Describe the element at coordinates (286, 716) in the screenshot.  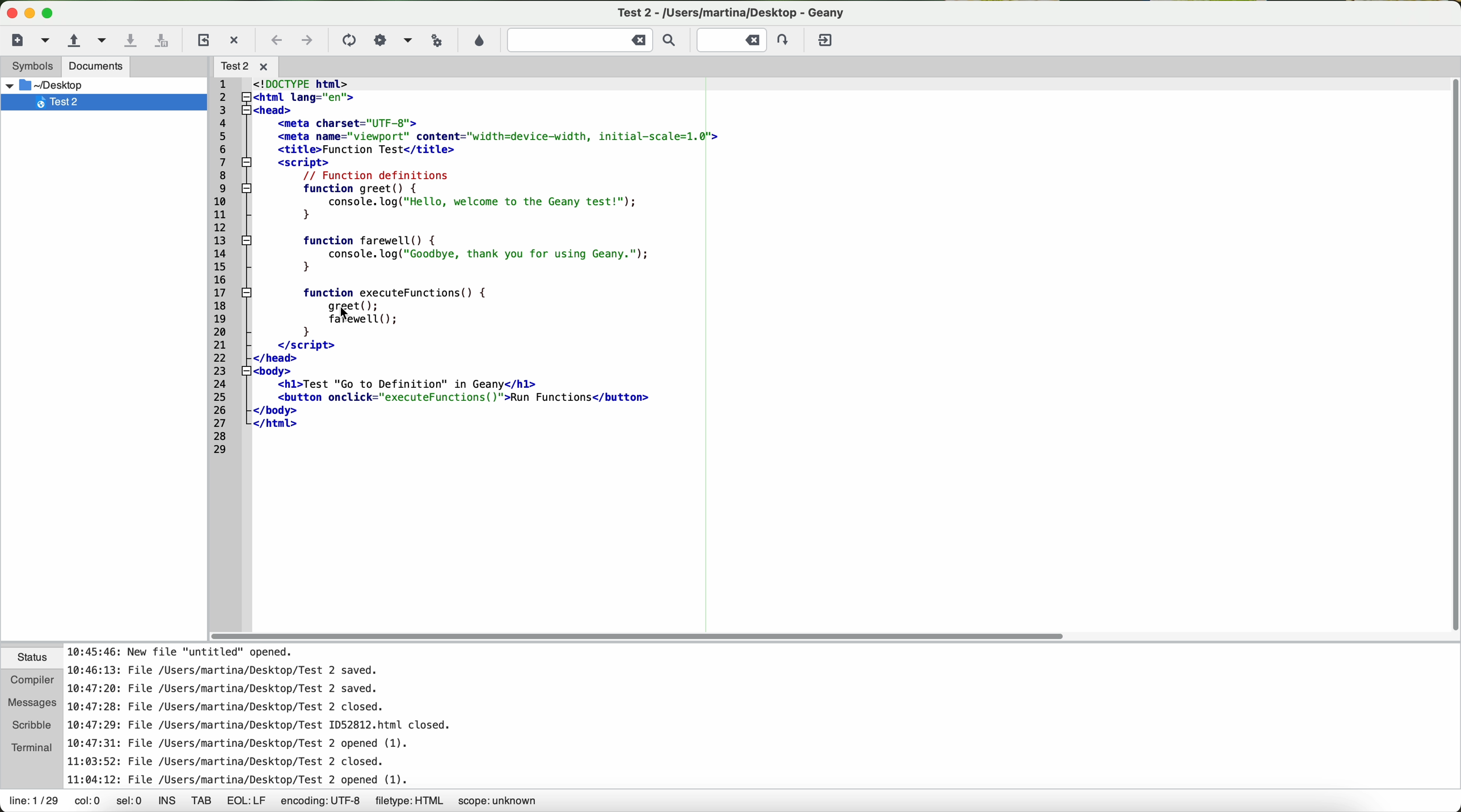
I see `notes` at that location.